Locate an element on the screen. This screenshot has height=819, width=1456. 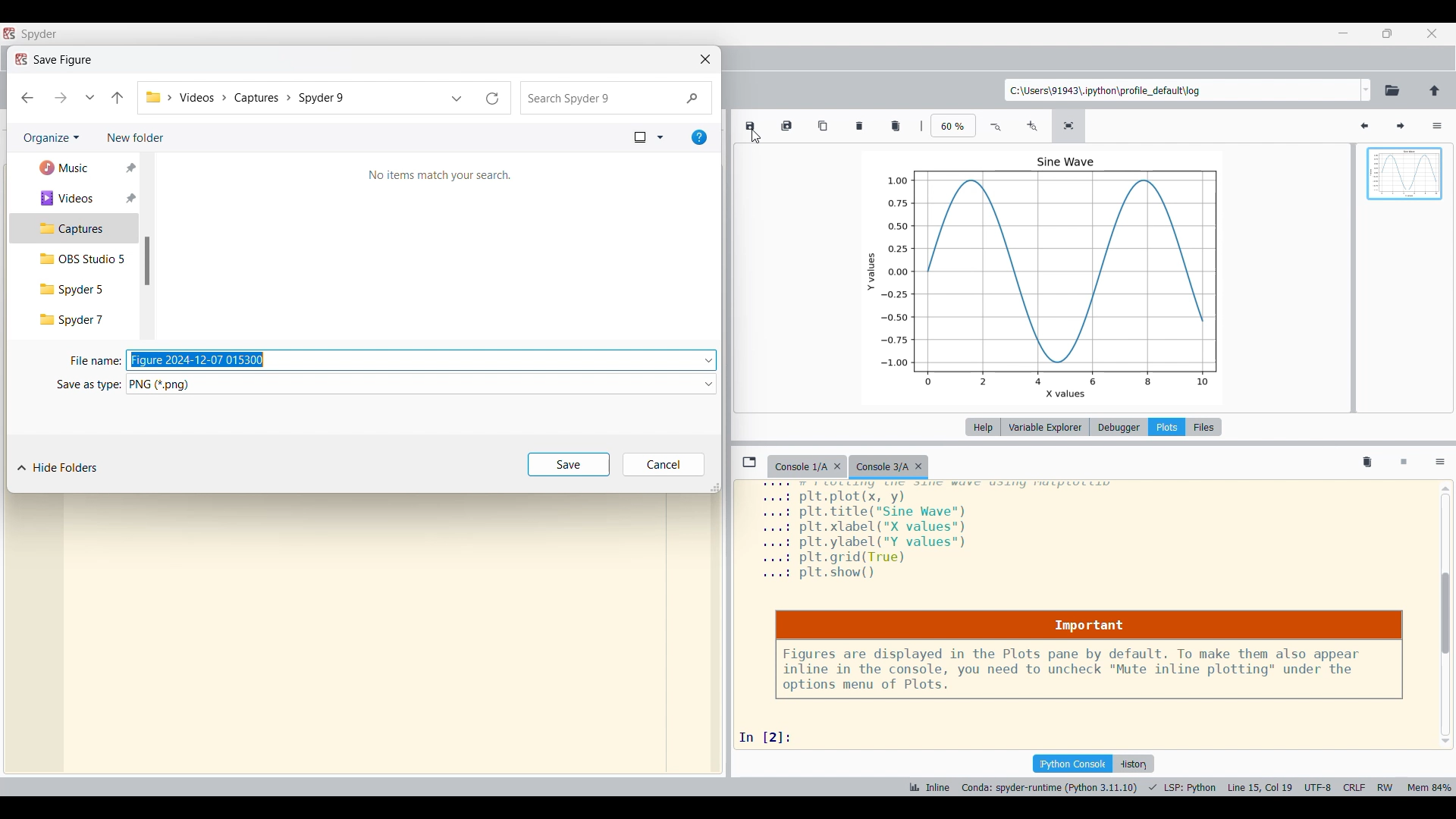
Captures, current selection highlighted is located at coordinates (74, 228).